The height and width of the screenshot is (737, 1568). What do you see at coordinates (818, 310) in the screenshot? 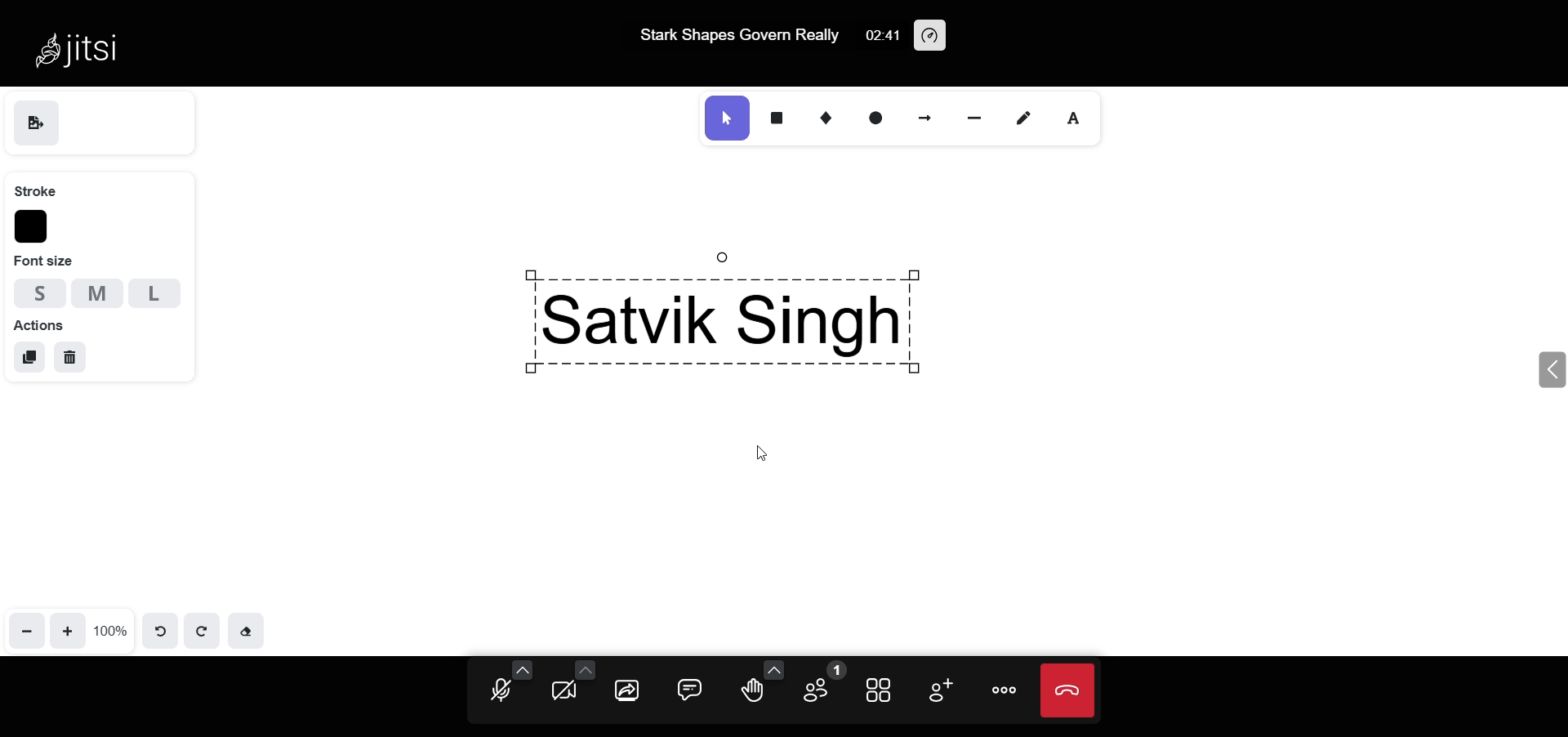
I see `Satvik Singh` at bounding box center [818, 310].